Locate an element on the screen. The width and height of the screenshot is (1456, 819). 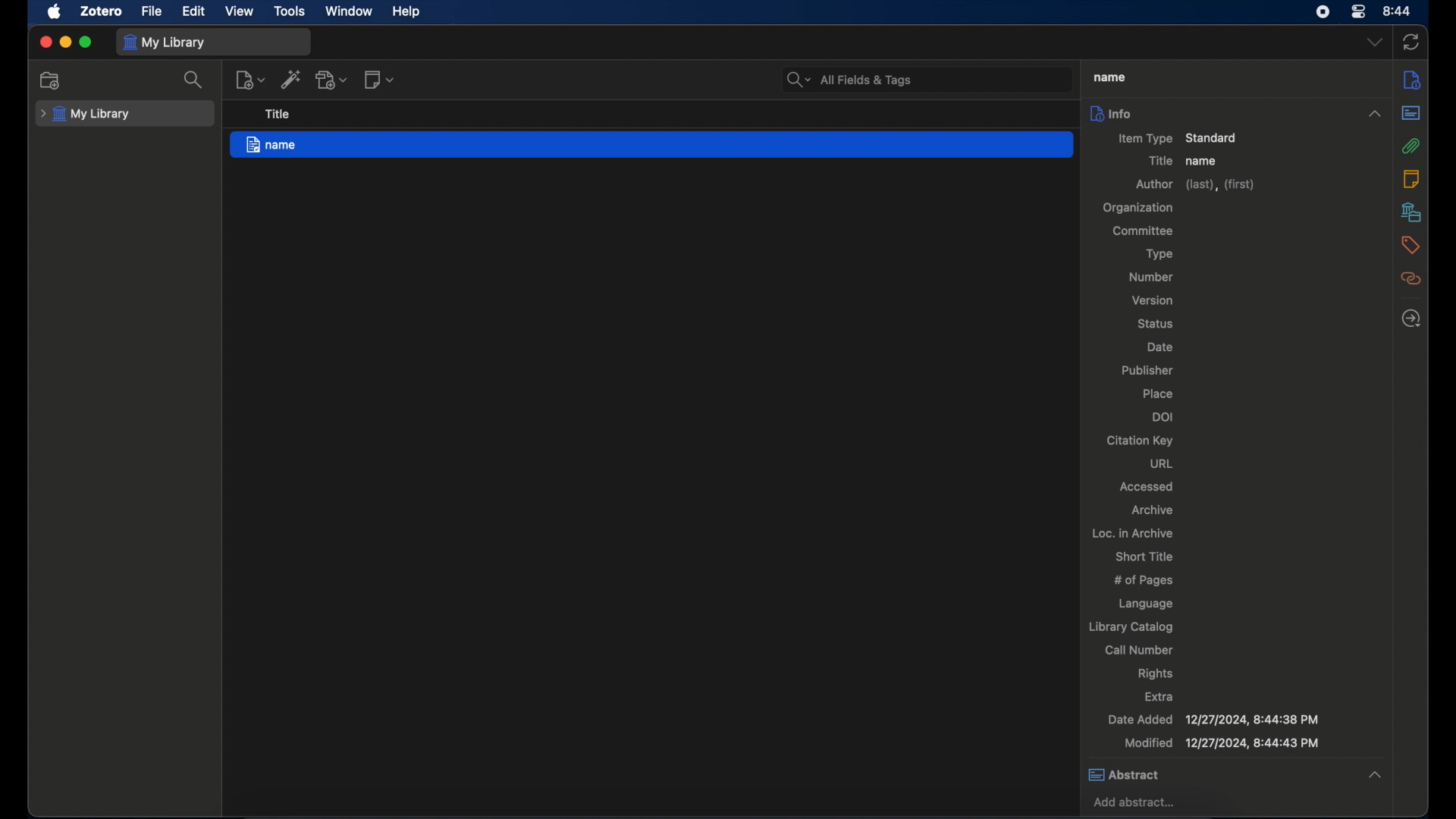
edit is located at coordinates (192, 11).